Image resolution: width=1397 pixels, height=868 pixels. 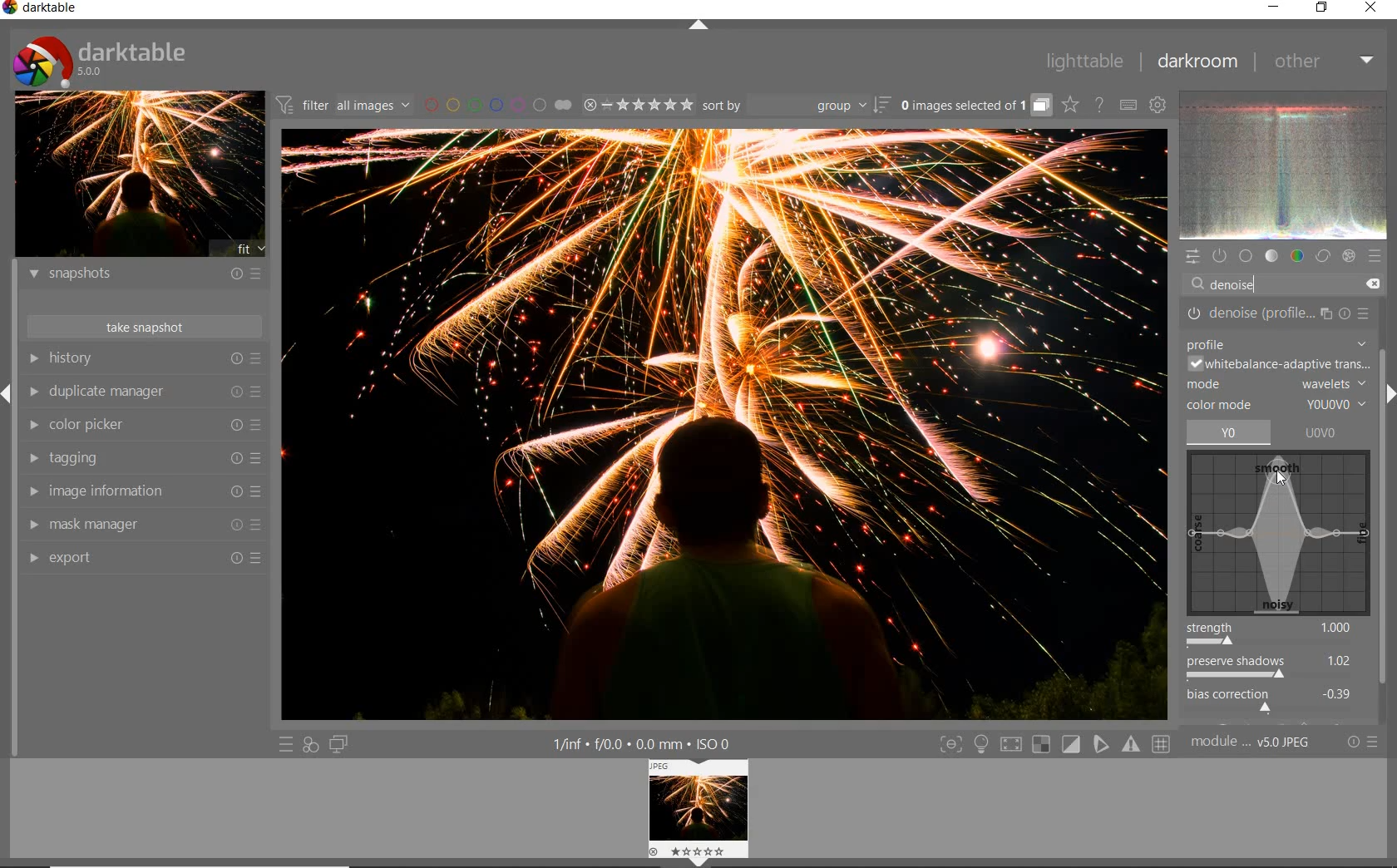 What do you see at coordinates (1276, 635) in the screenshot?
I see `strength` at bounding box center [1276, 635].